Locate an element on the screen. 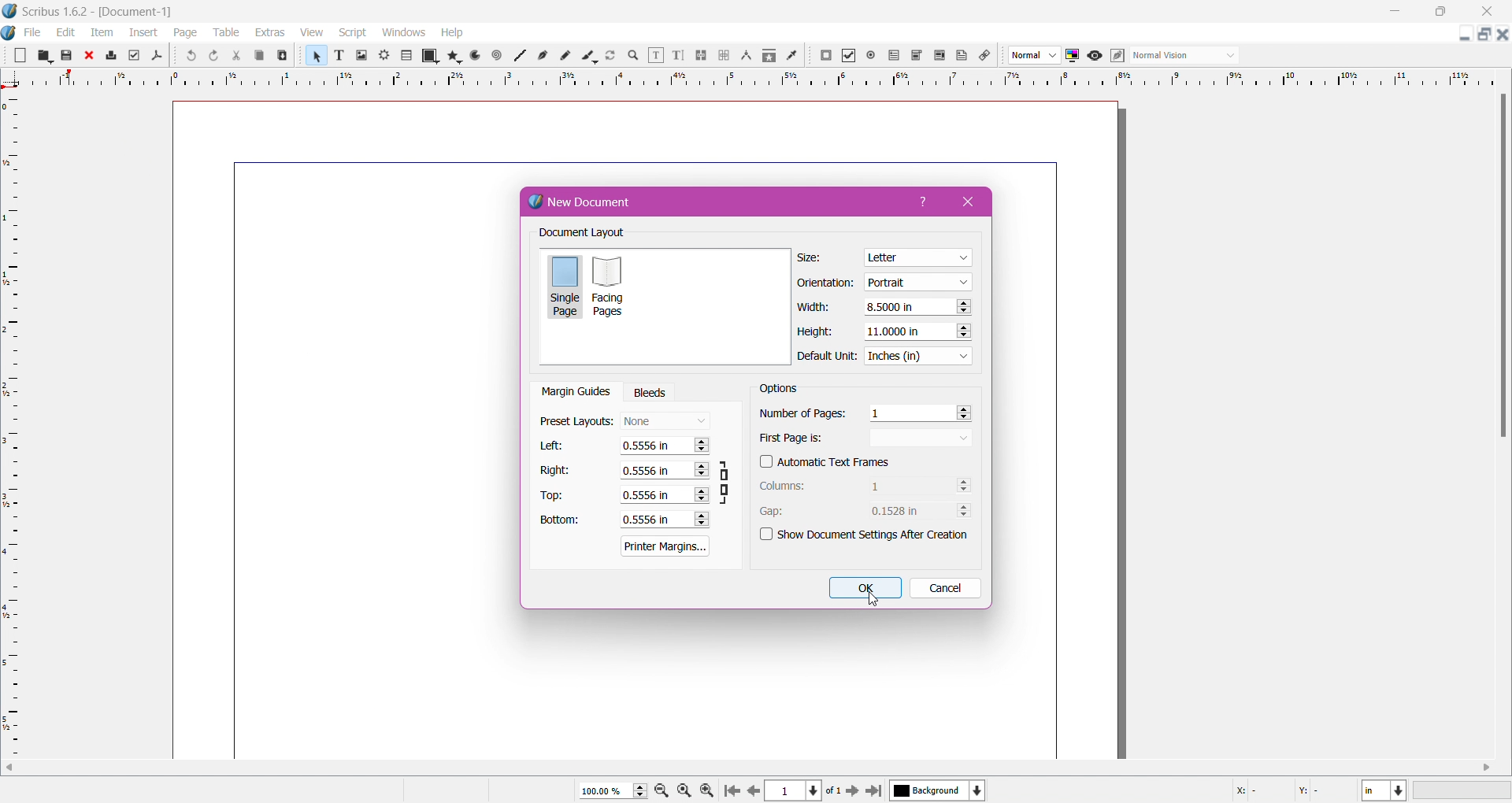 The width and height of the screenshot is (1512, 803). View is located at coordinates (313, 34).